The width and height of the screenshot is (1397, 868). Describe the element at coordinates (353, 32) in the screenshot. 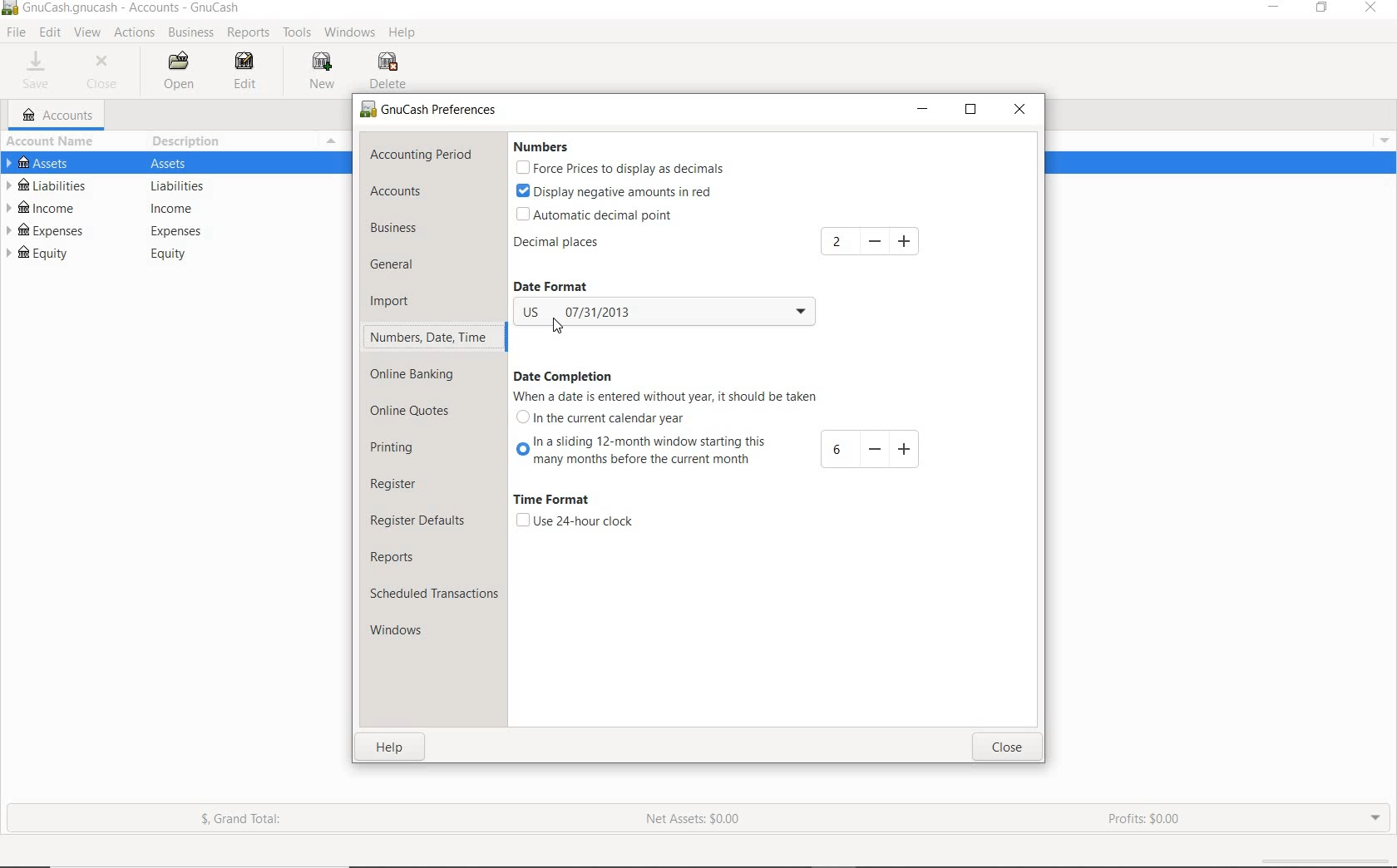

I see `WINDOWS` at that location.